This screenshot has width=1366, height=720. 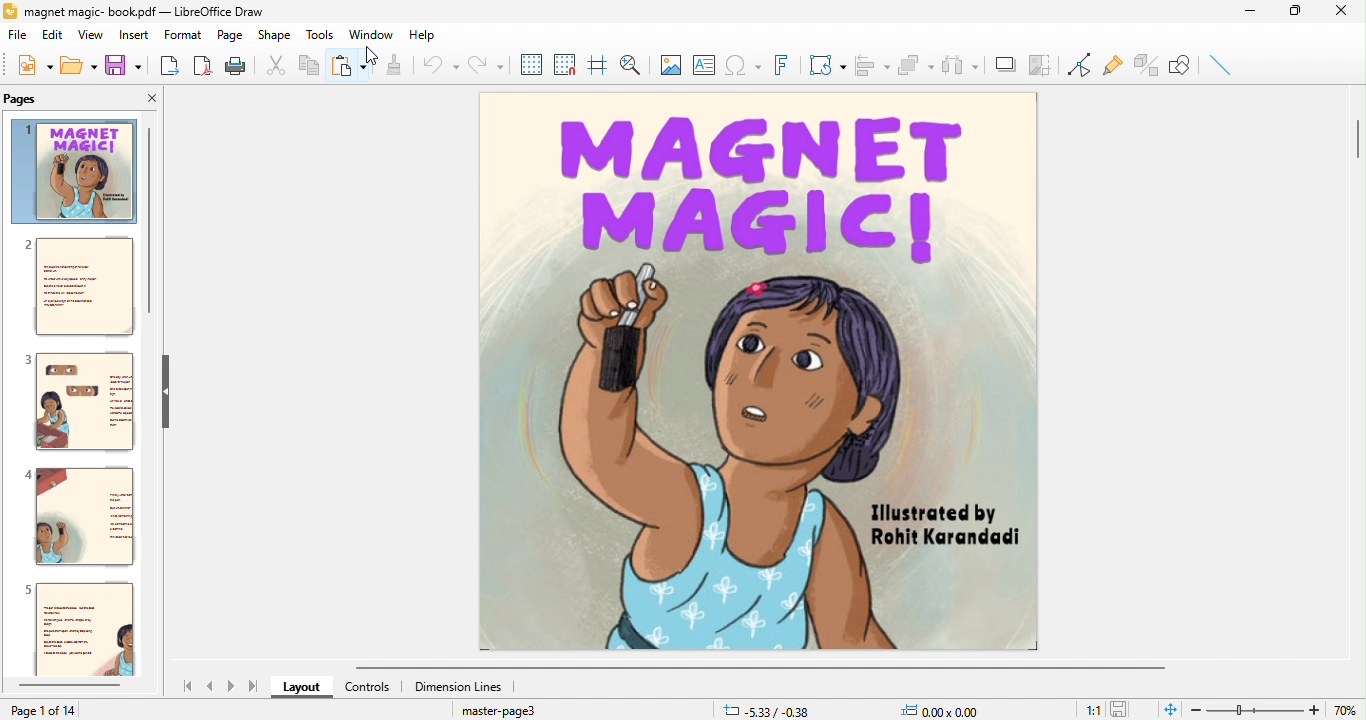 What do you see at coordinates (526, 65) in the screenshot?
I see `display grids` at bounding box center [526, 65].